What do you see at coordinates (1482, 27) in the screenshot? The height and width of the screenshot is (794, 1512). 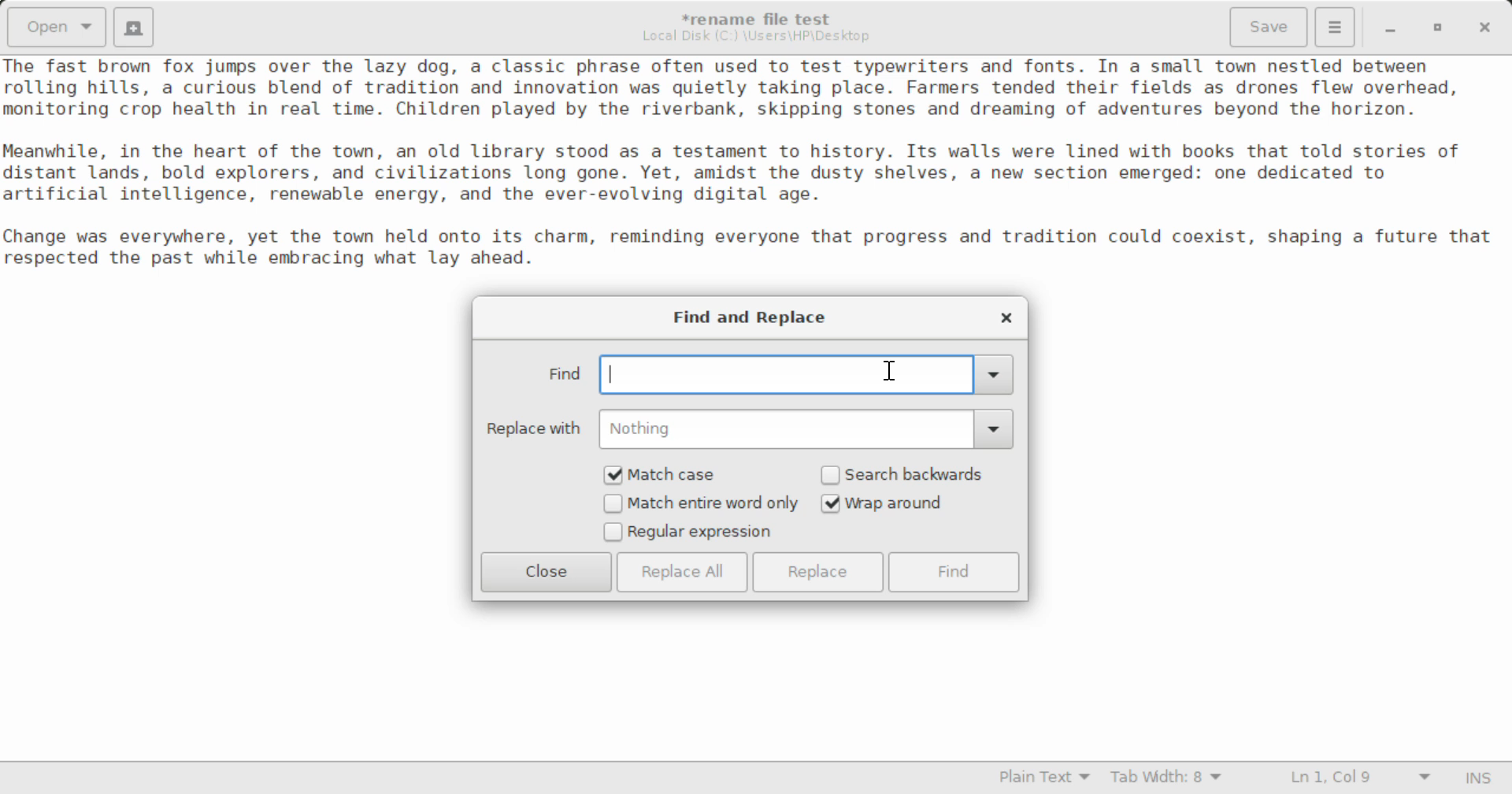 I see `Close Window` at bounding box center [1482, 27].